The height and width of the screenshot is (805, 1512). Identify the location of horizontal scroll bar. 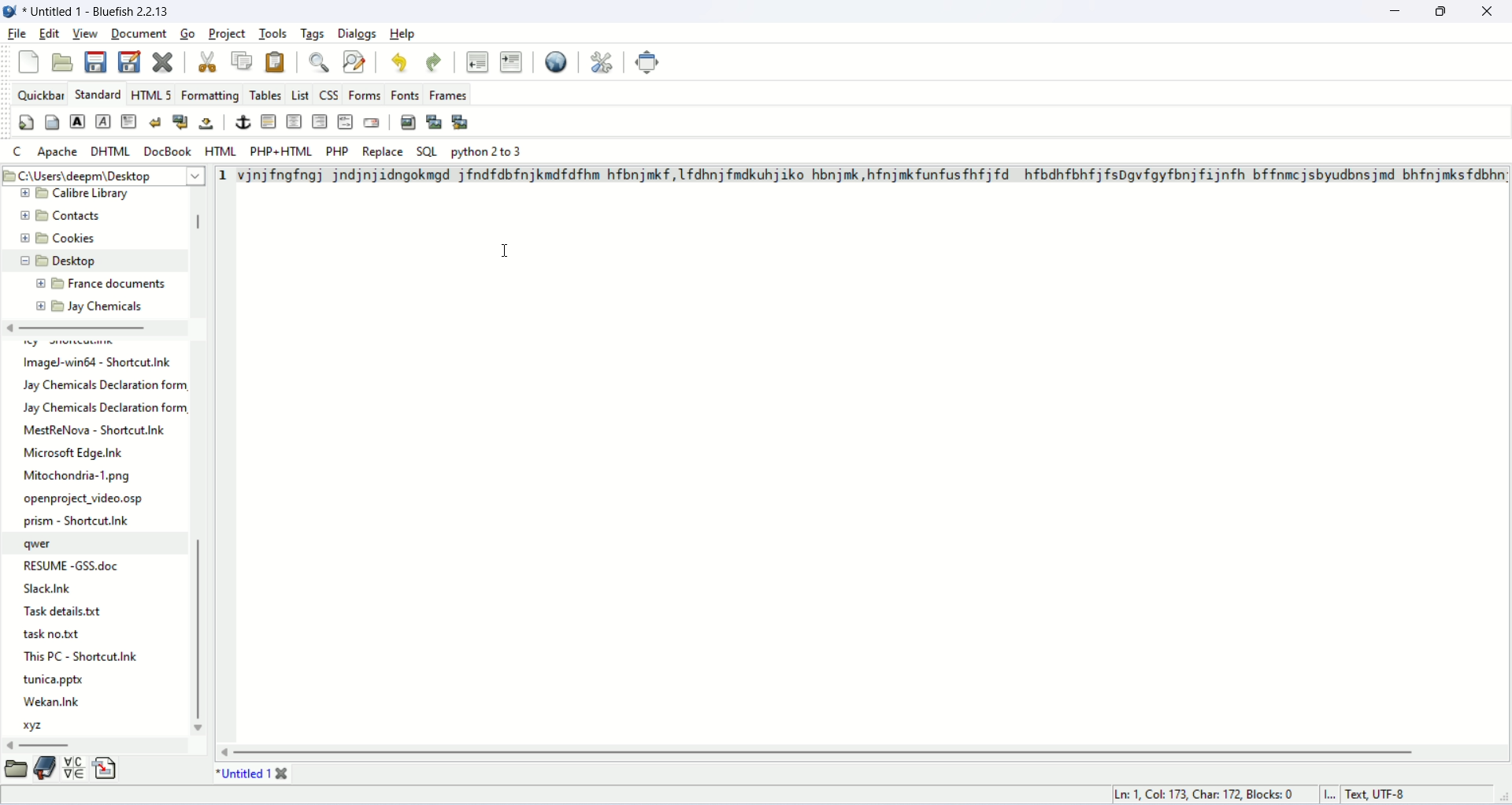
(80, 327).